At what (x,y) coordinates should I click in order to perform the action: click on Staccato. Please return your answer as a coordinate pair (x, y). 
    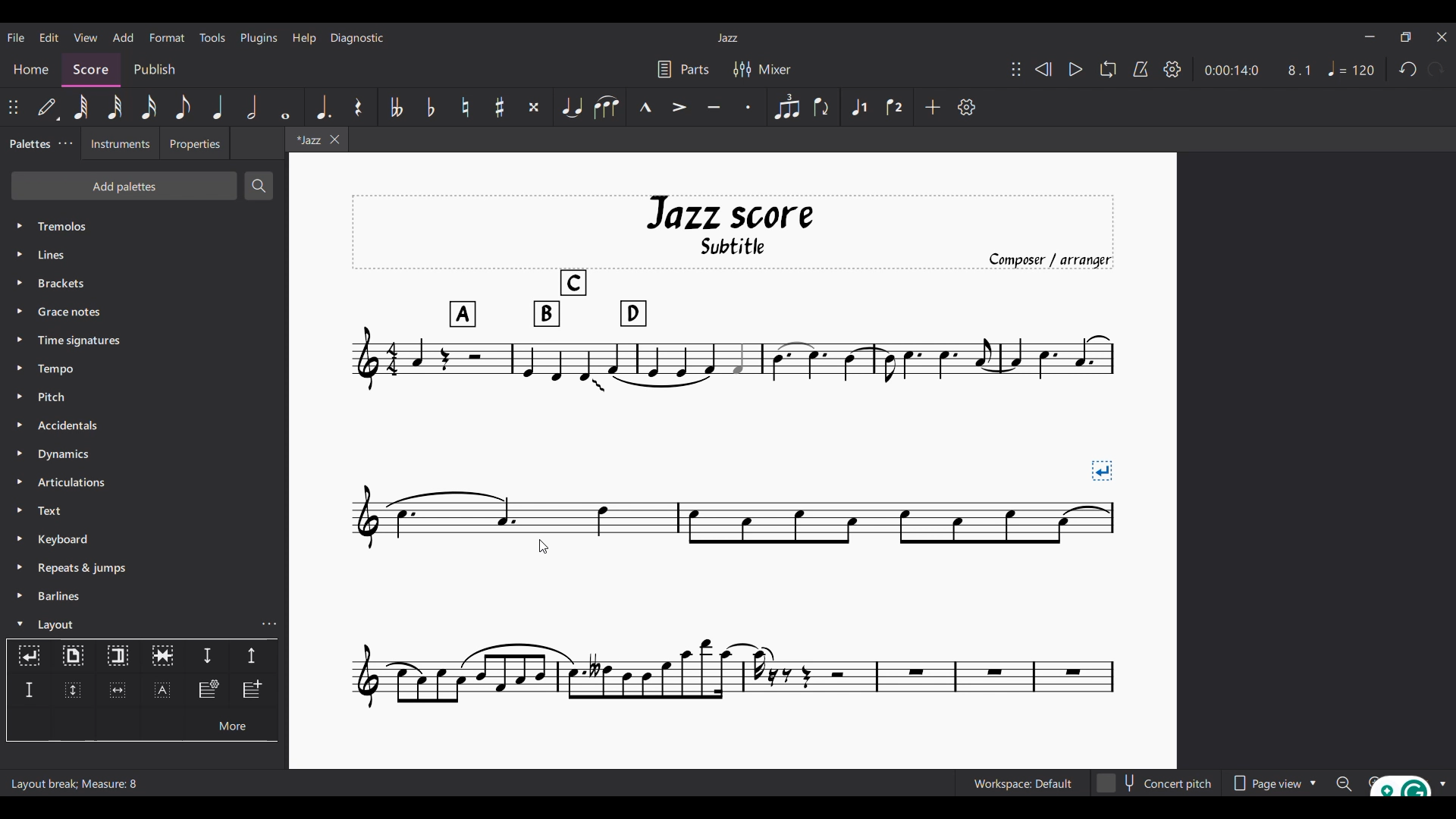
    Looking at the image, I should click on (748, 107).